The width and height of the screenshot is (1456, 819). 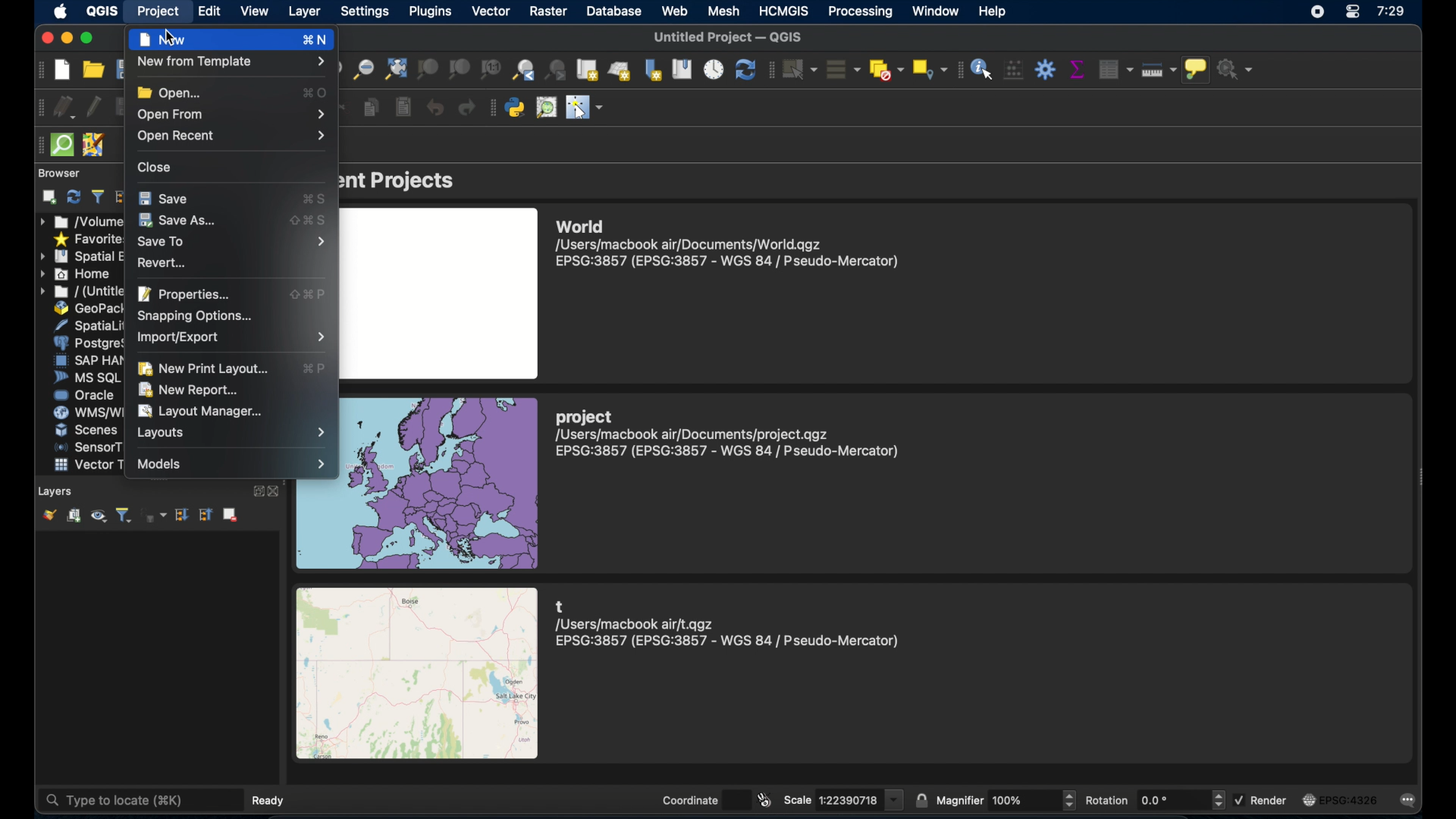 What do you see at coordinates (673, 11) in the screenshot?
I see `web` at bounding box center [673, 11].